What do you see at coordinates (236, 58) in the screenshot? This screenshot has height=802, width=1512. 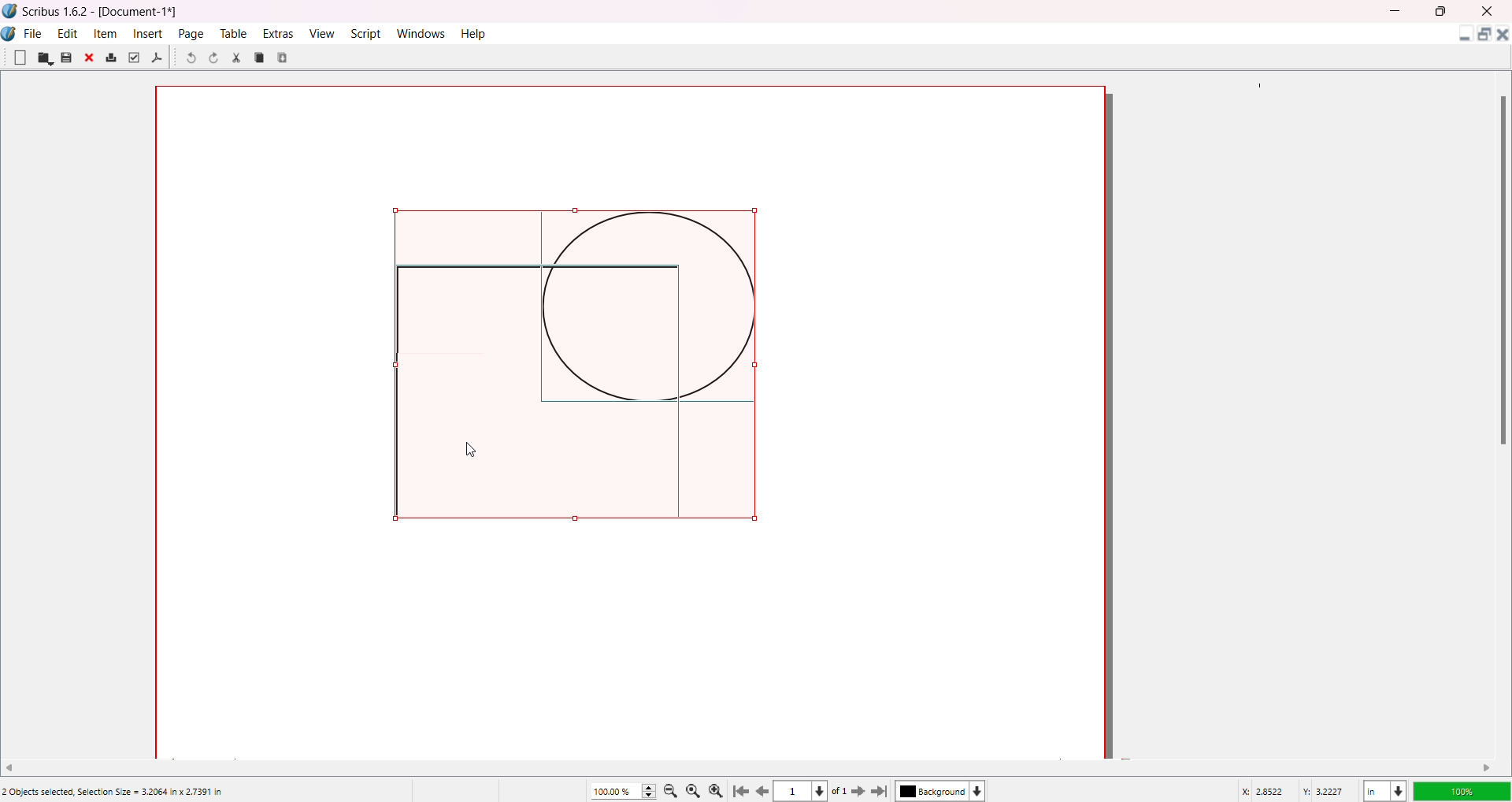 I see `Cut` at bounding box center [236, 58].